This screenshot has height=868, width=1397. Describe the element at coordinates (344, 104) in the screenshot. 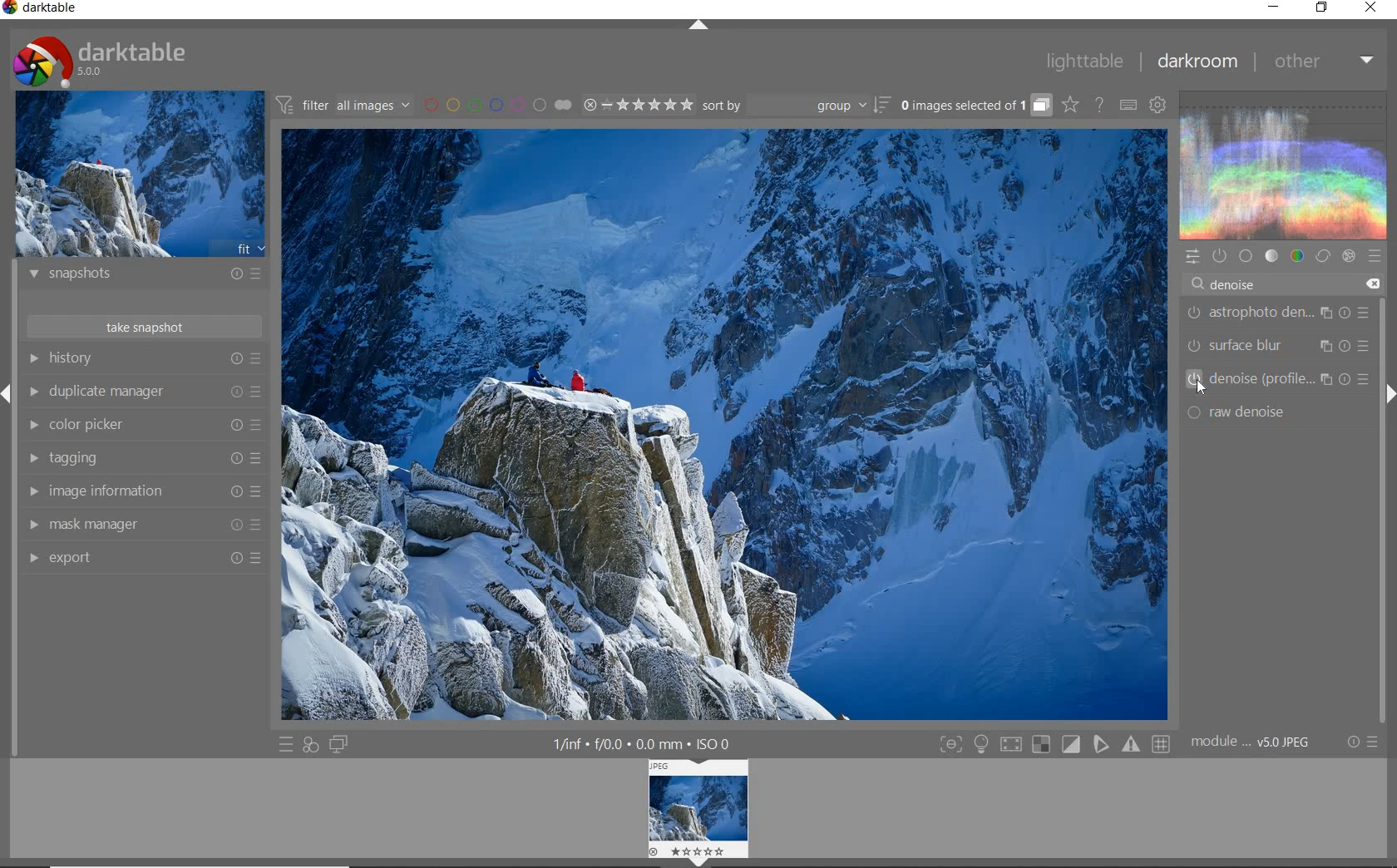

I see `filter all images by module order` at that location.